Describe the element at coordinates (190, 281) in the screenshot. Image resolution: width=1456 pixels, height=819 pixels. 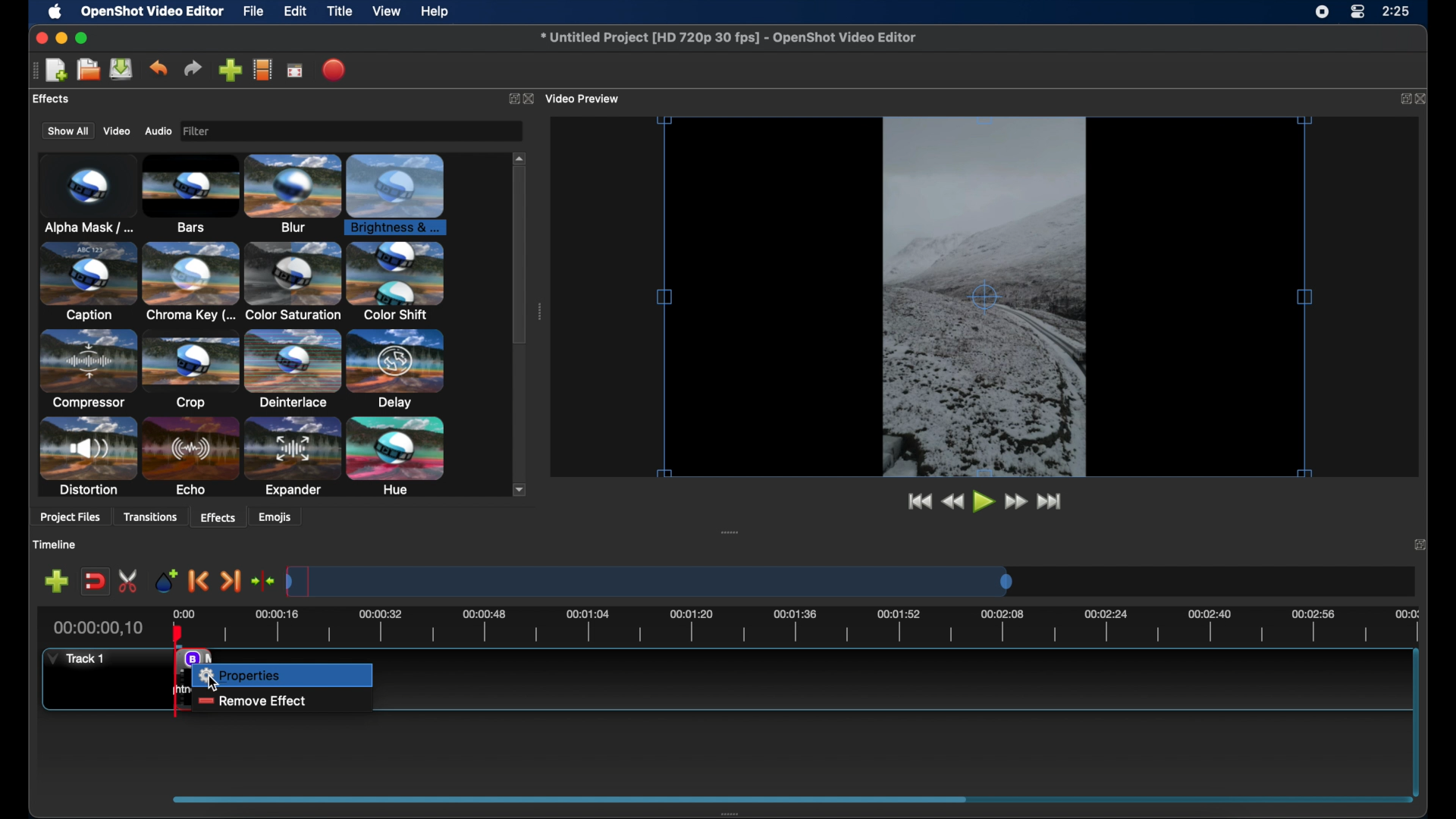
I see `chroma key` at that location.